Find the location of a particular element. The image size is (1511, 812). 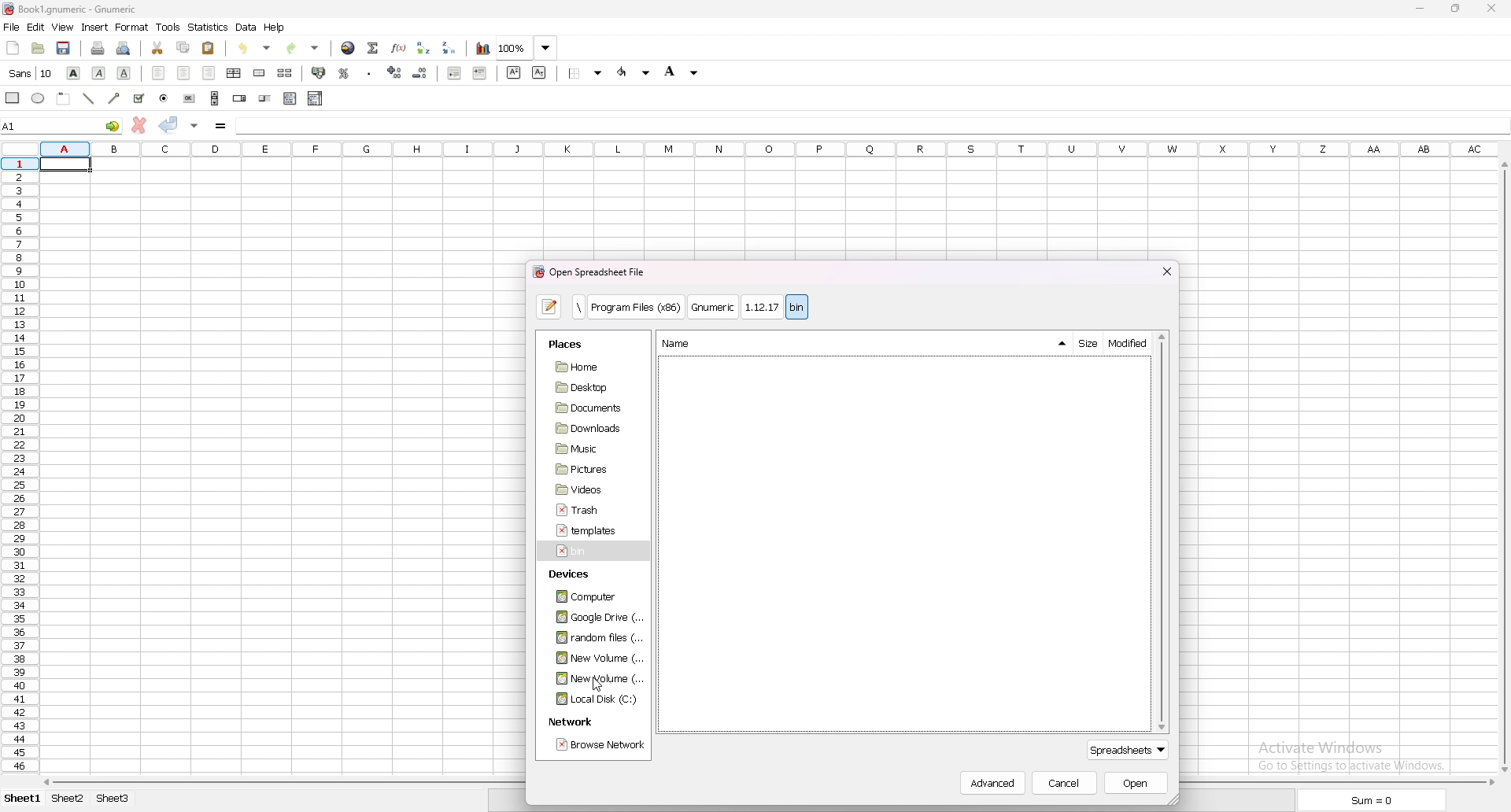

cut is located at coordinates (157, 49).